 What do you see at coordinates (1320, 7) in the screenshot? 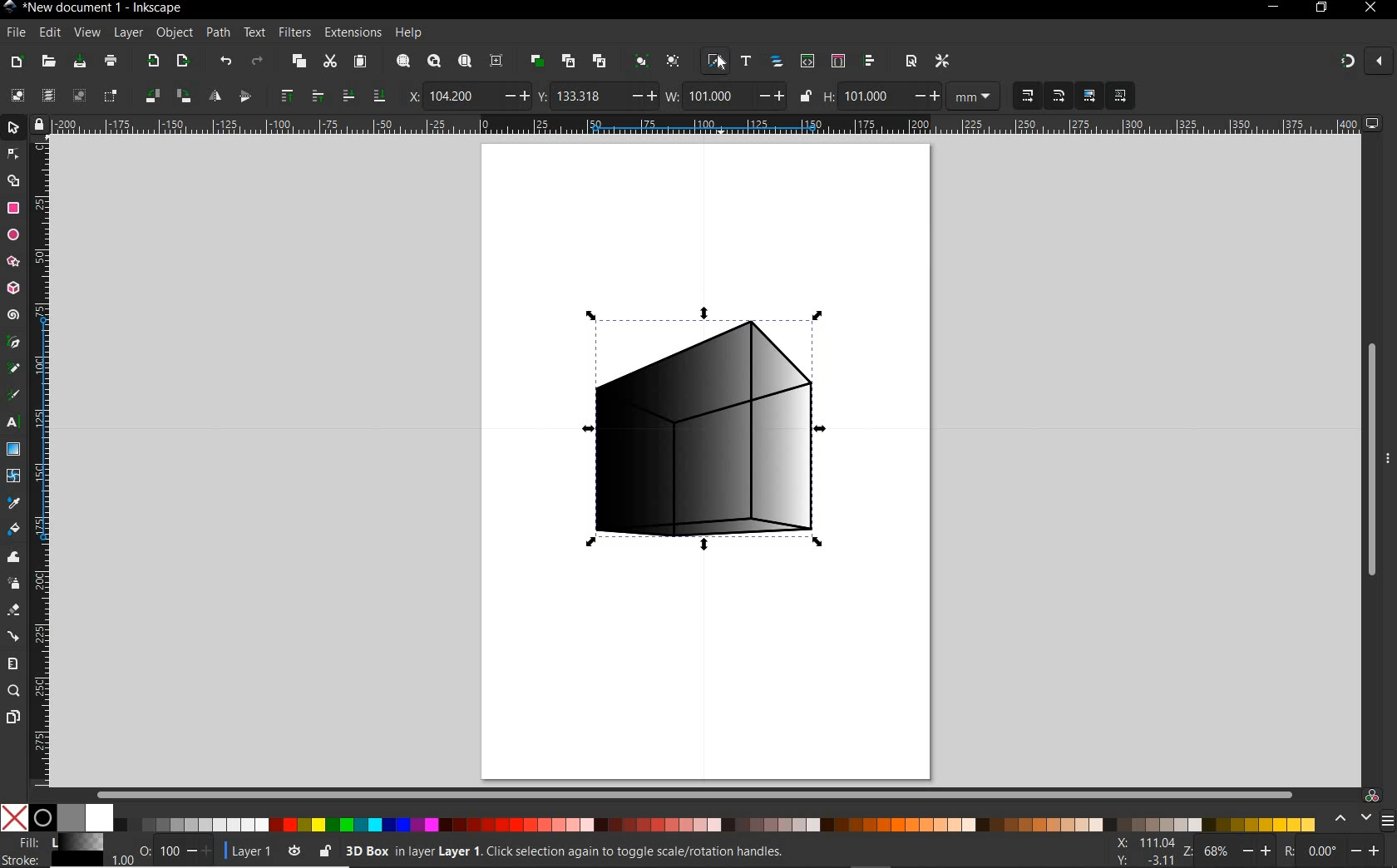
I see `RESTORE DOWN` at bounding box center [1320, 7].